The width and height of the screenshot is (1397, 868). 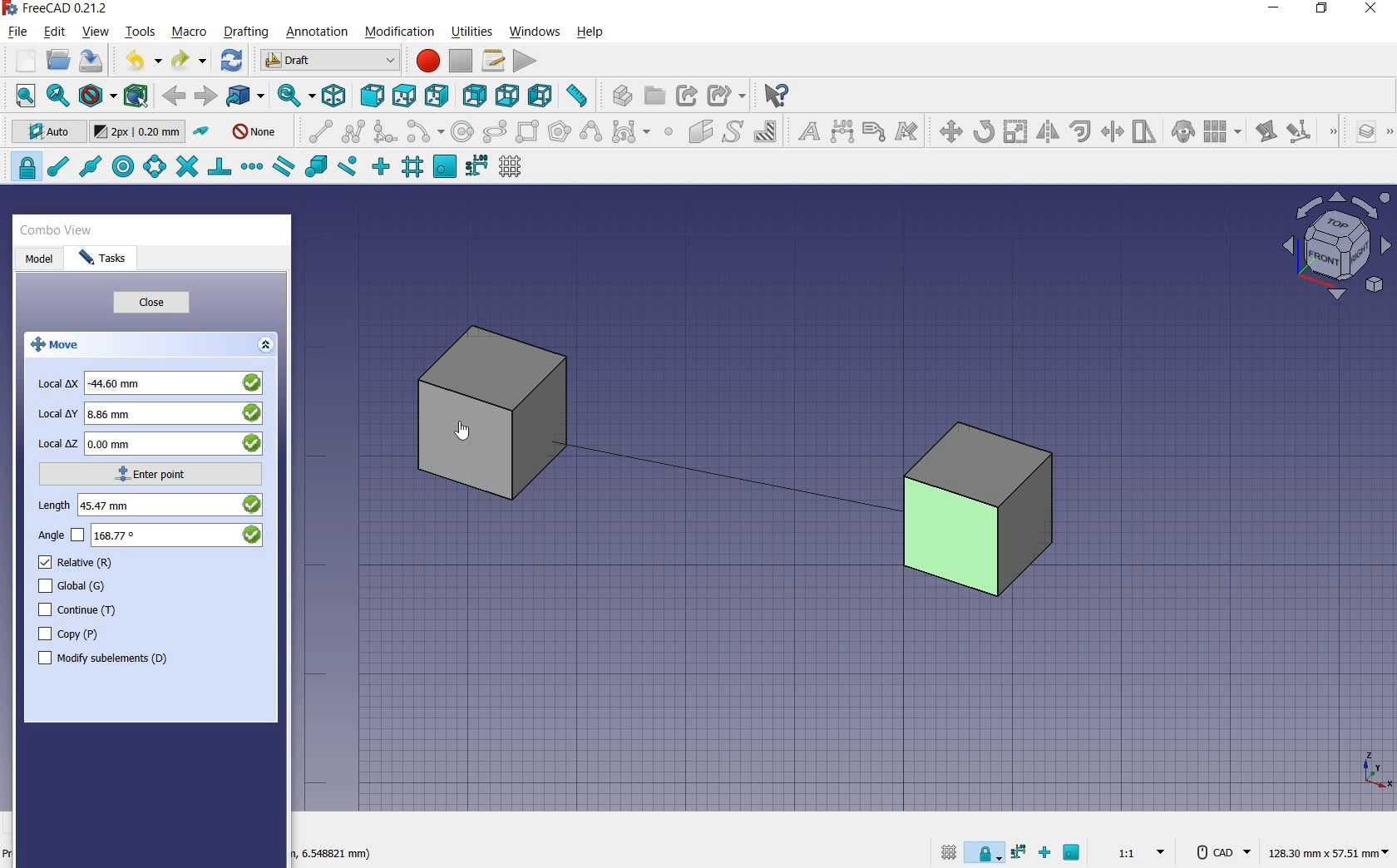 I want to click on Bezier tools, so click(x=630, y=133).